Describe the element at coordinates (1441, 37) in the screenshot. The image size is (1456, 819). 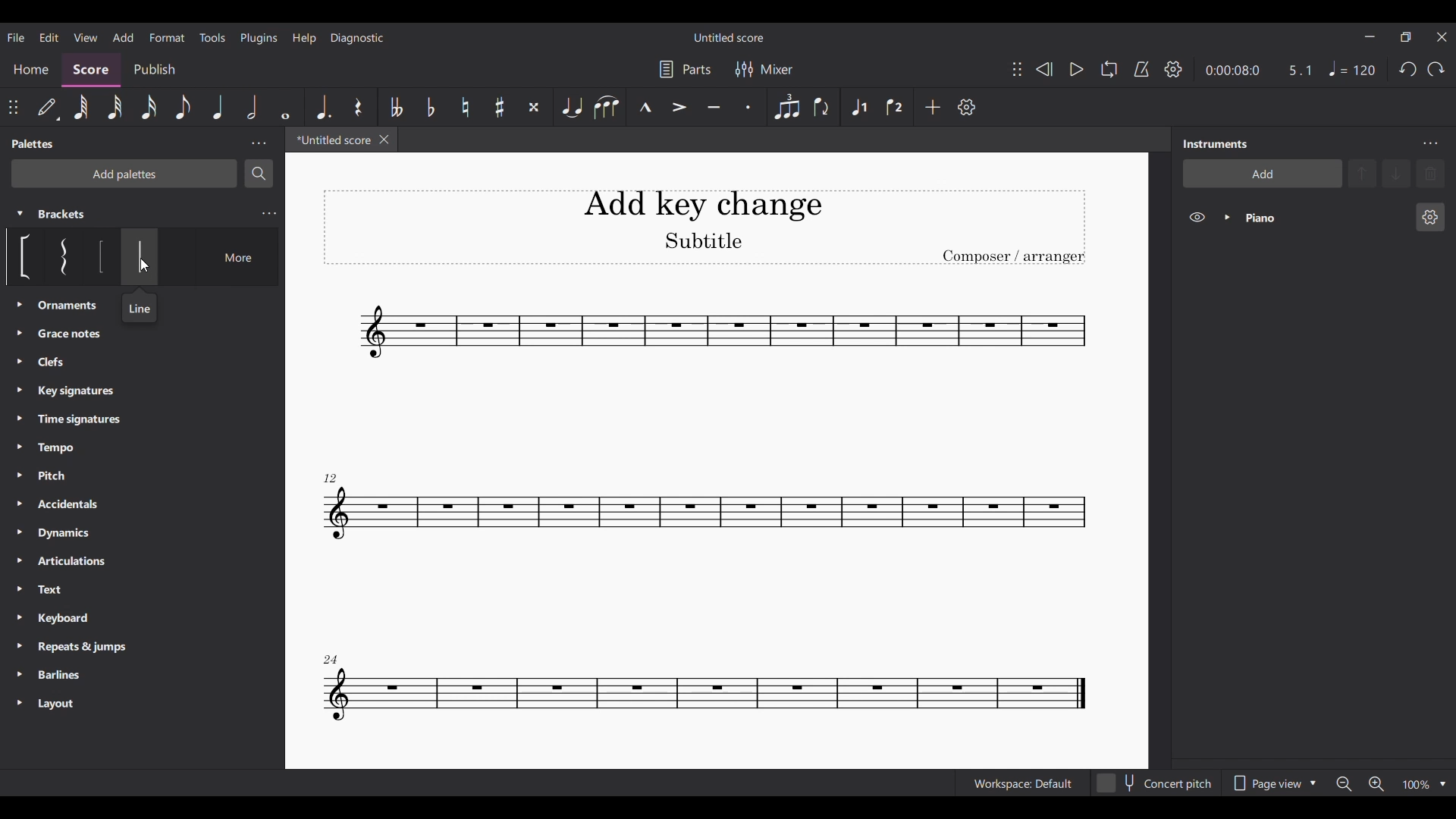
I see `Close interface` at that location.